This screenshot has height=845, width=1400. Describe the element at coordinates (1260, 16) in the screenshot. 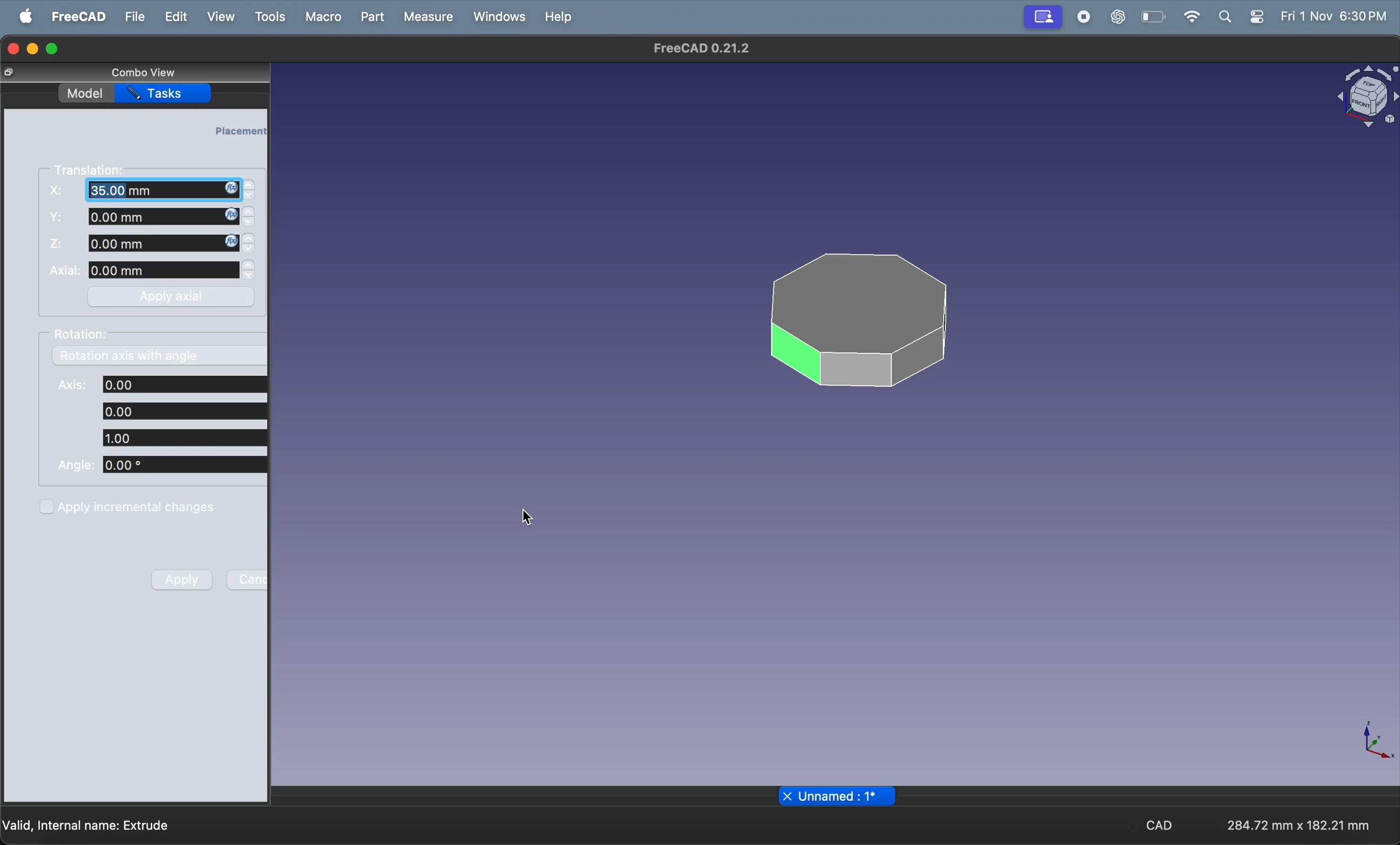

I see `apple widgets` at that location.